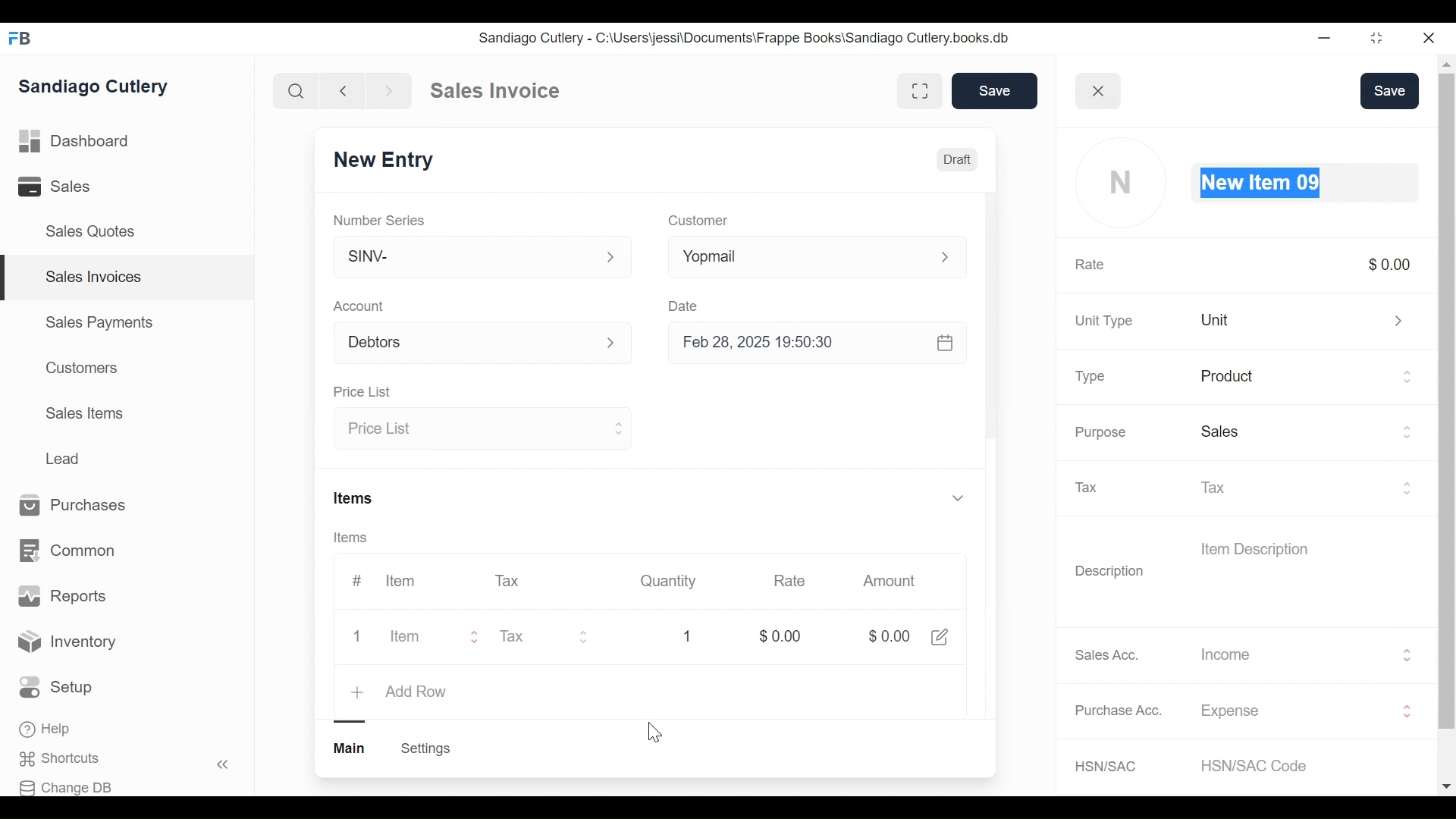 The width and height of the screenshot is (1456, 819). What do you see at coordinates (958, 162) in the screenshot?
I see `Draft` at bounding box center [958, 162].